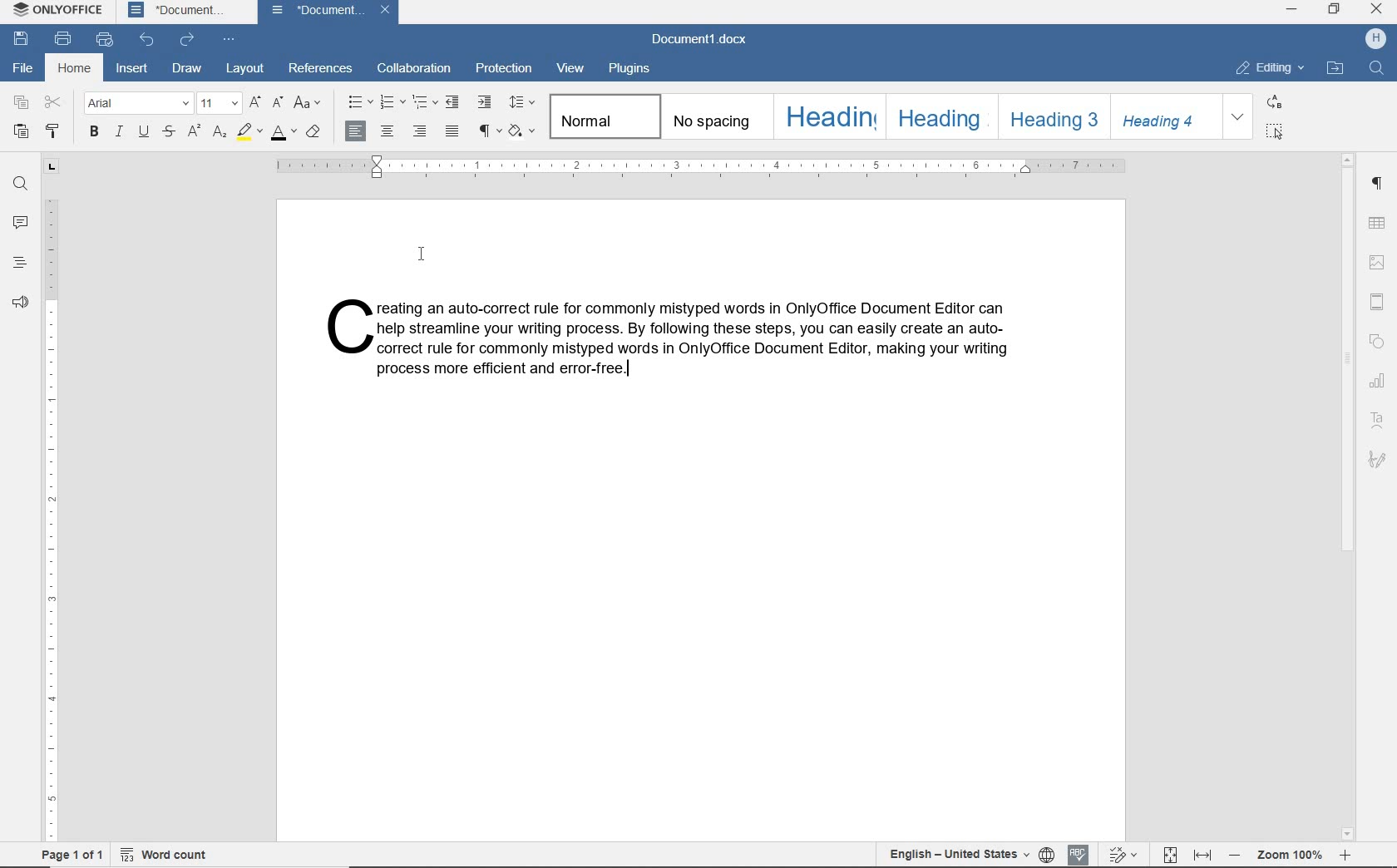 This screenshot has height=868, width=1397. Describe the element at coordinates (309, 104) in the screenshot. I see `CHANGE CASE` at that location.